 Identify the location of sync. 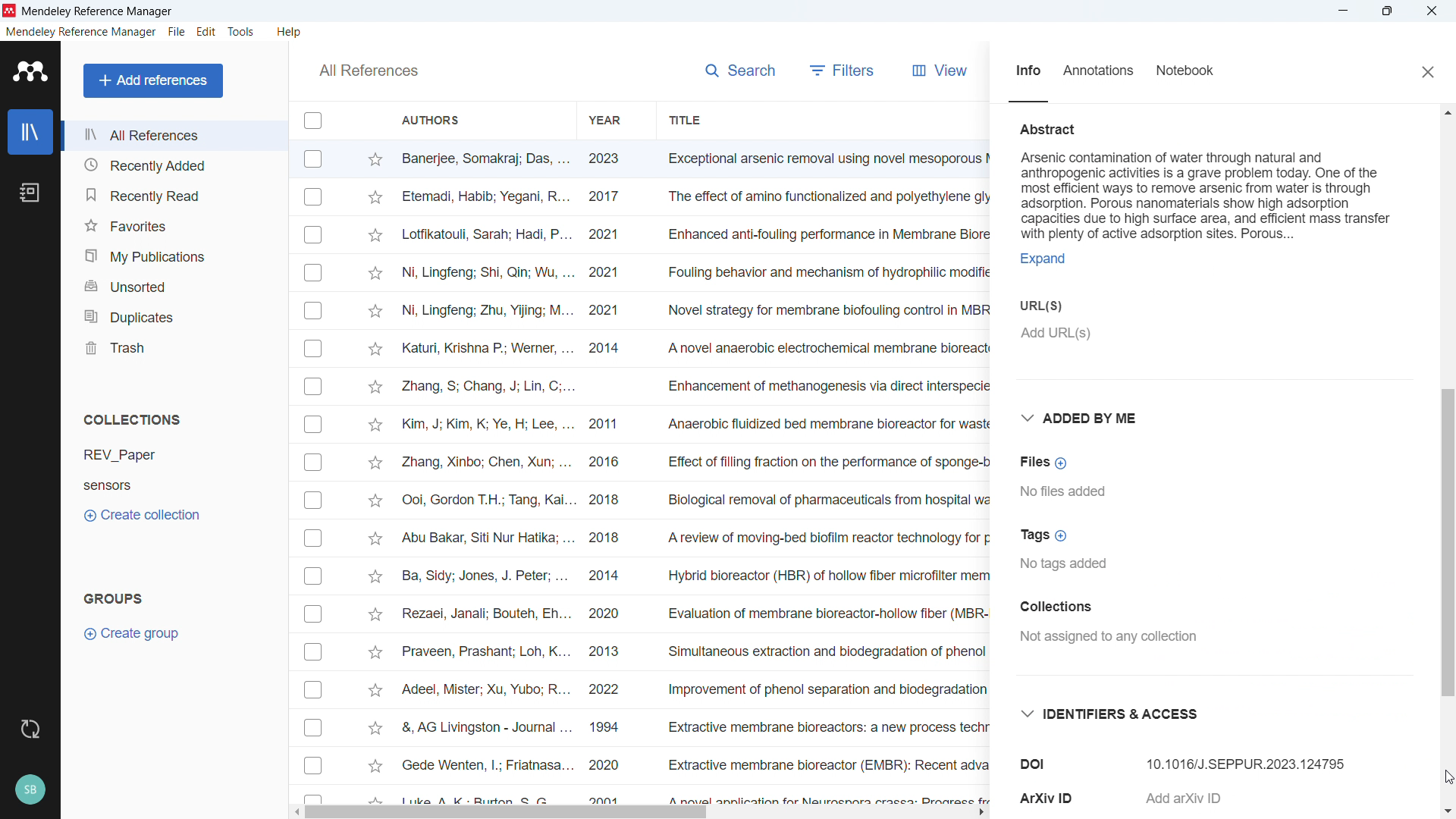
(30, 730).